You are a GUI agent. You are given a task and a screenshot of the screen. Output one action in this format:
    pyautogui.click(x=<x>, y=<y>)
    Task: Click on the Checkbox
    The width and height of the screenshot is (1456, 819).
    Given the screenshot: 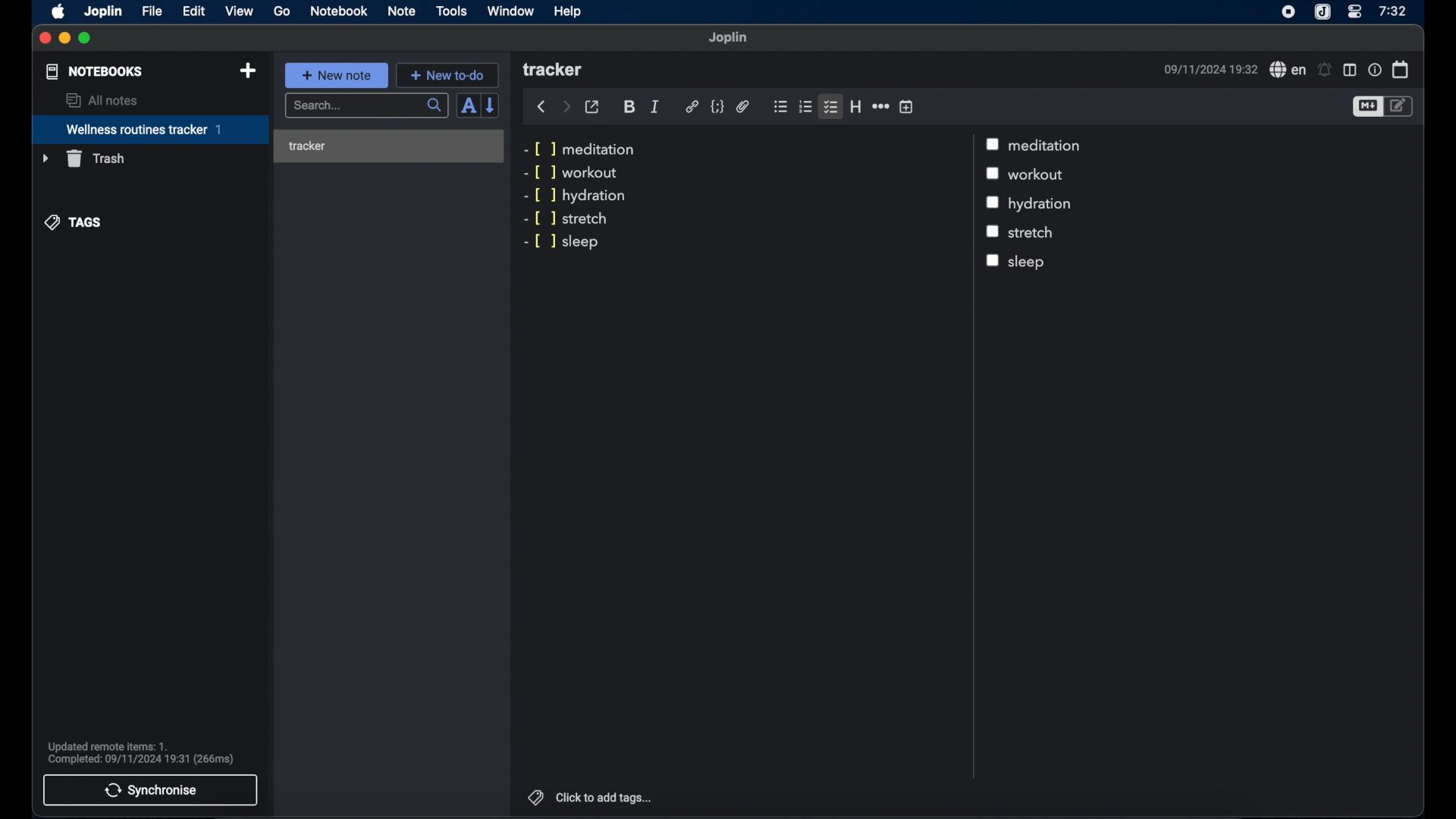 What is the action you would take?
    pyautogui.click(x=993, y=233)
    